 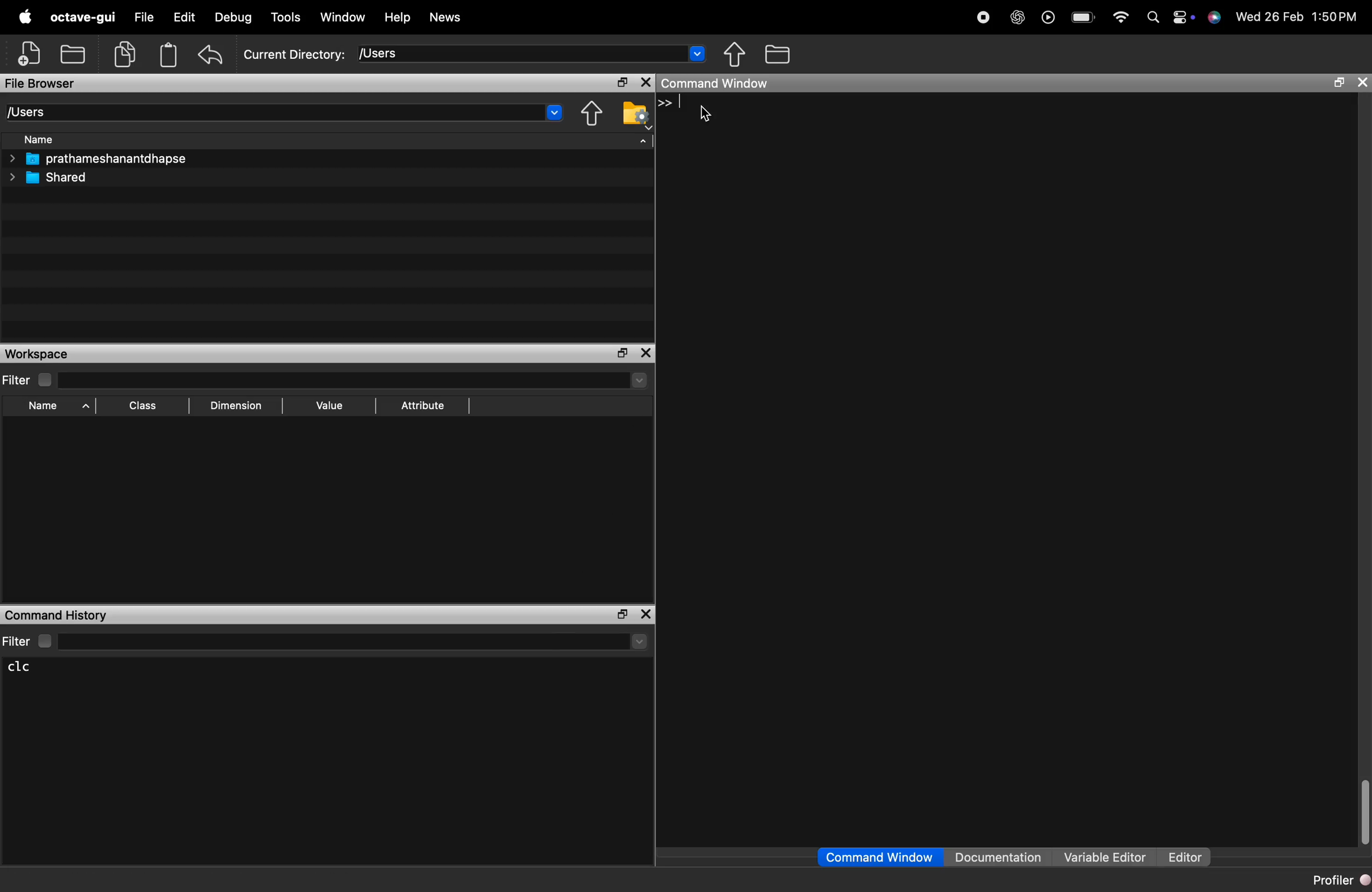 What do you see at coordinates (1178, 16) in the screenshot?
I see `control center` at bounding box center [1178, 16].